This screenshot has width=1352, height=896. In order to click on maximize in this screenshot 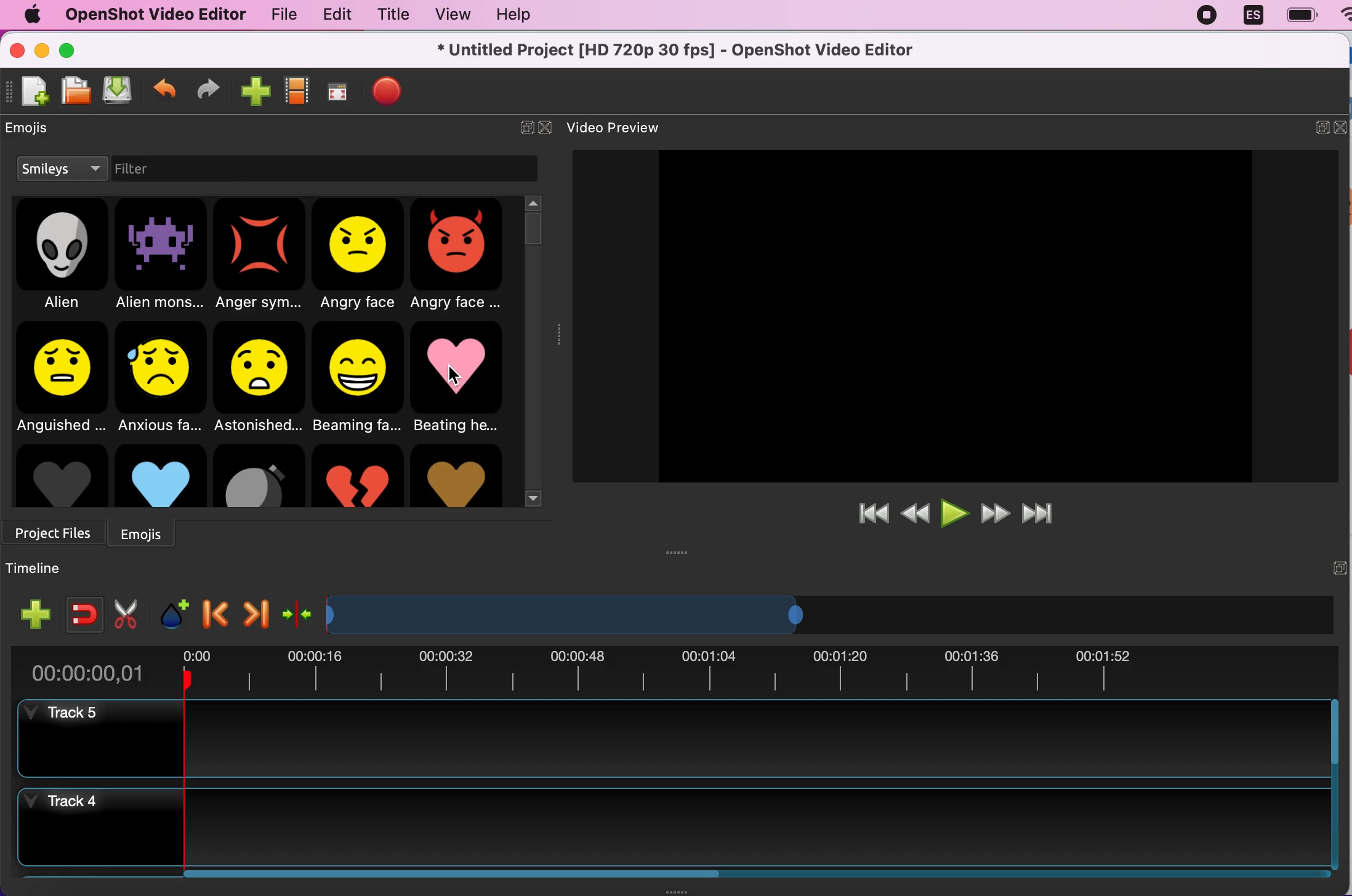, I will do `click(71, 49)`.